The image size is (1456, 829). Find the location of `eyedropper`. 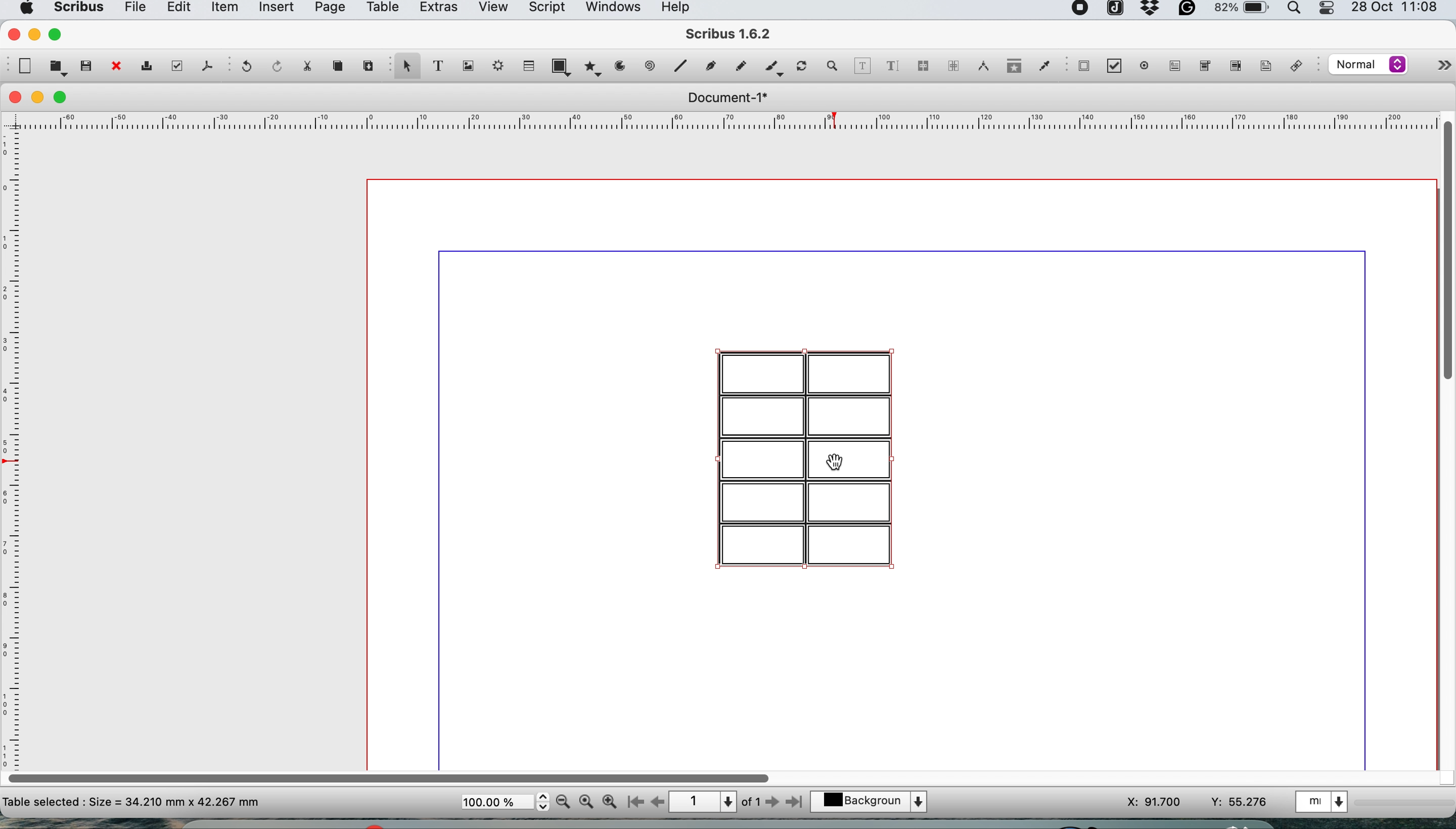

eyedropper is located at coordinates (1044, 68).